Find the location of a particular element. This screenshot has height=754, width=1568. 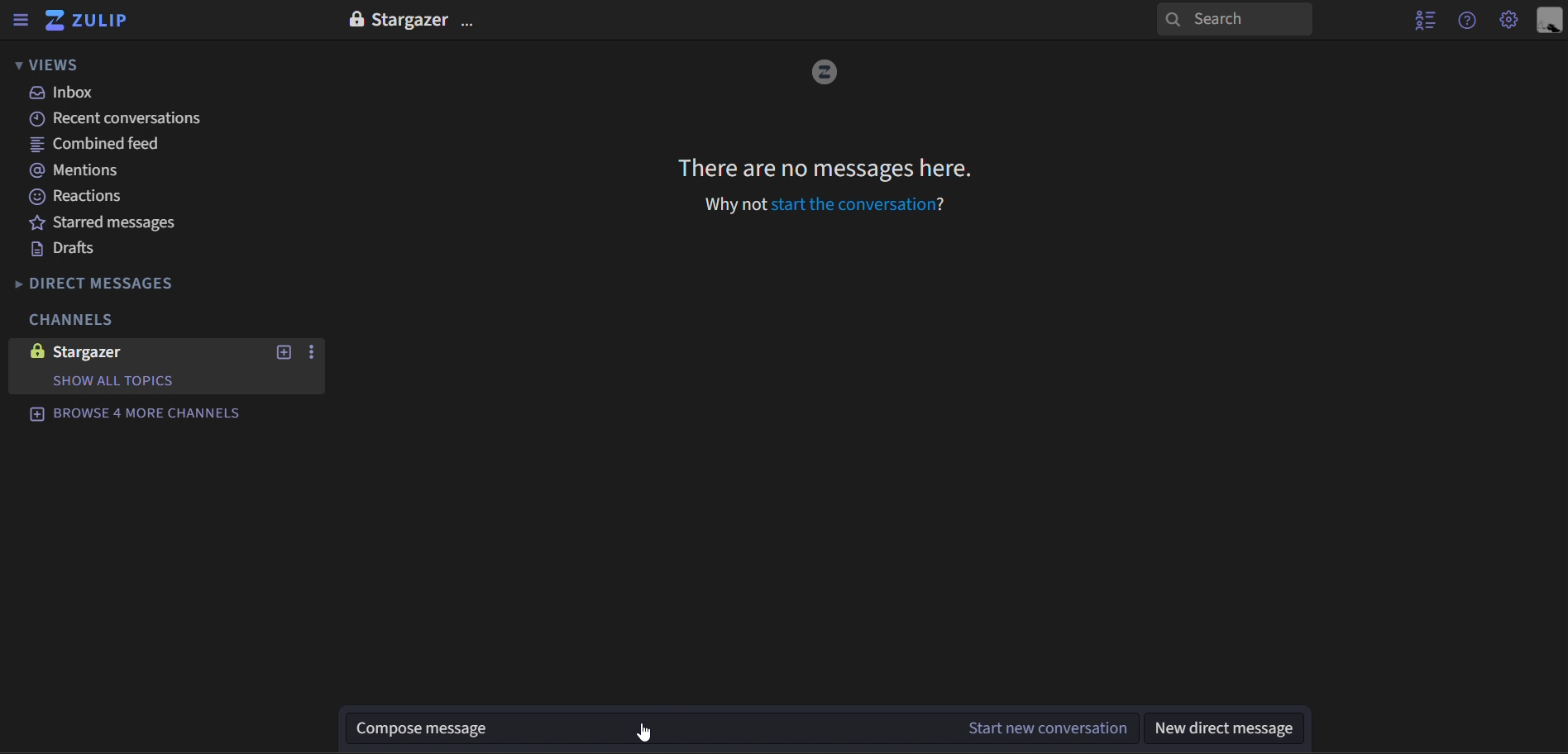

recent conversations is located at coordinates (136, 118).